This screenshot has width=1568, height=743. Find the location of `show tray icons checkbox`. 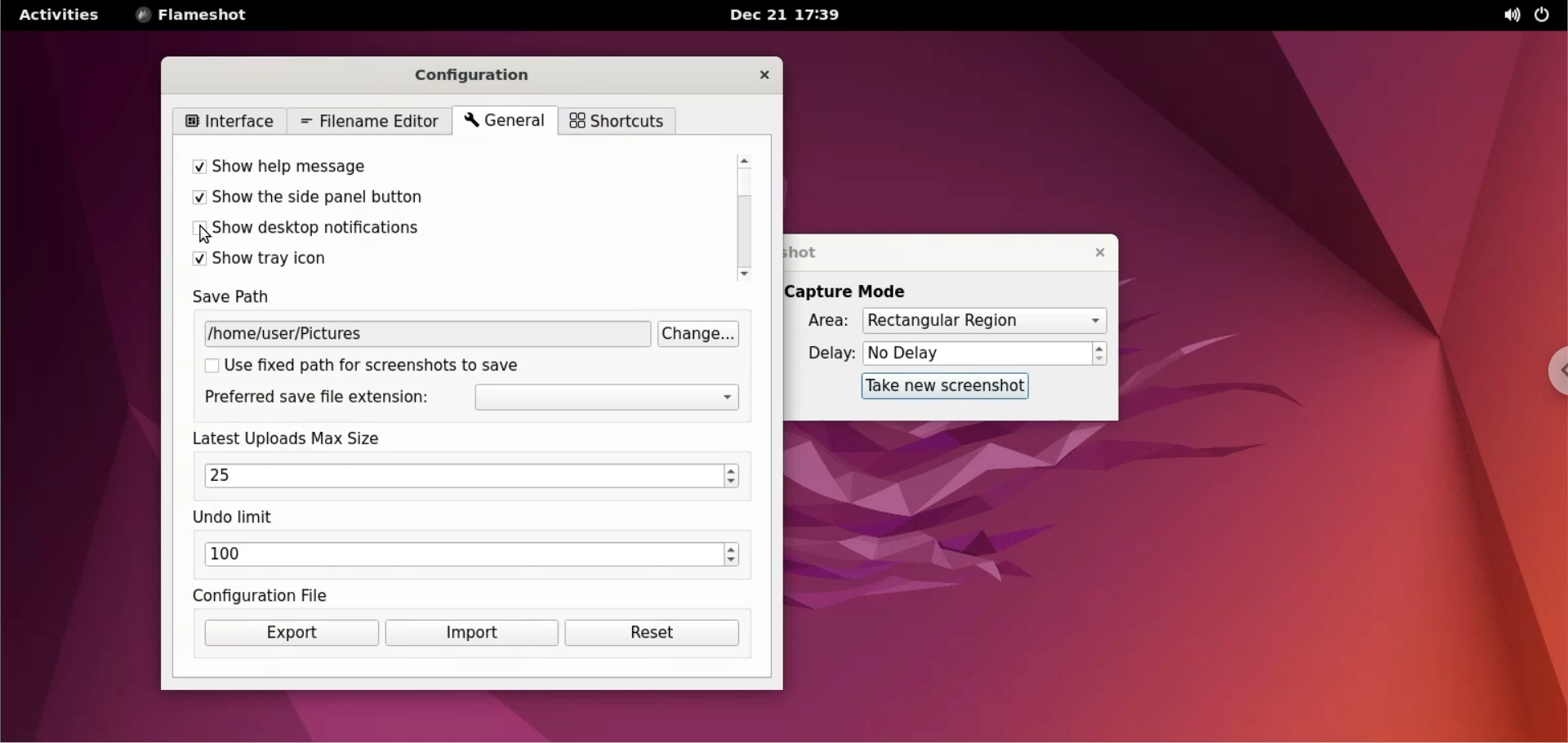

show tray icons checkbox is located at coordinates (432, 260).